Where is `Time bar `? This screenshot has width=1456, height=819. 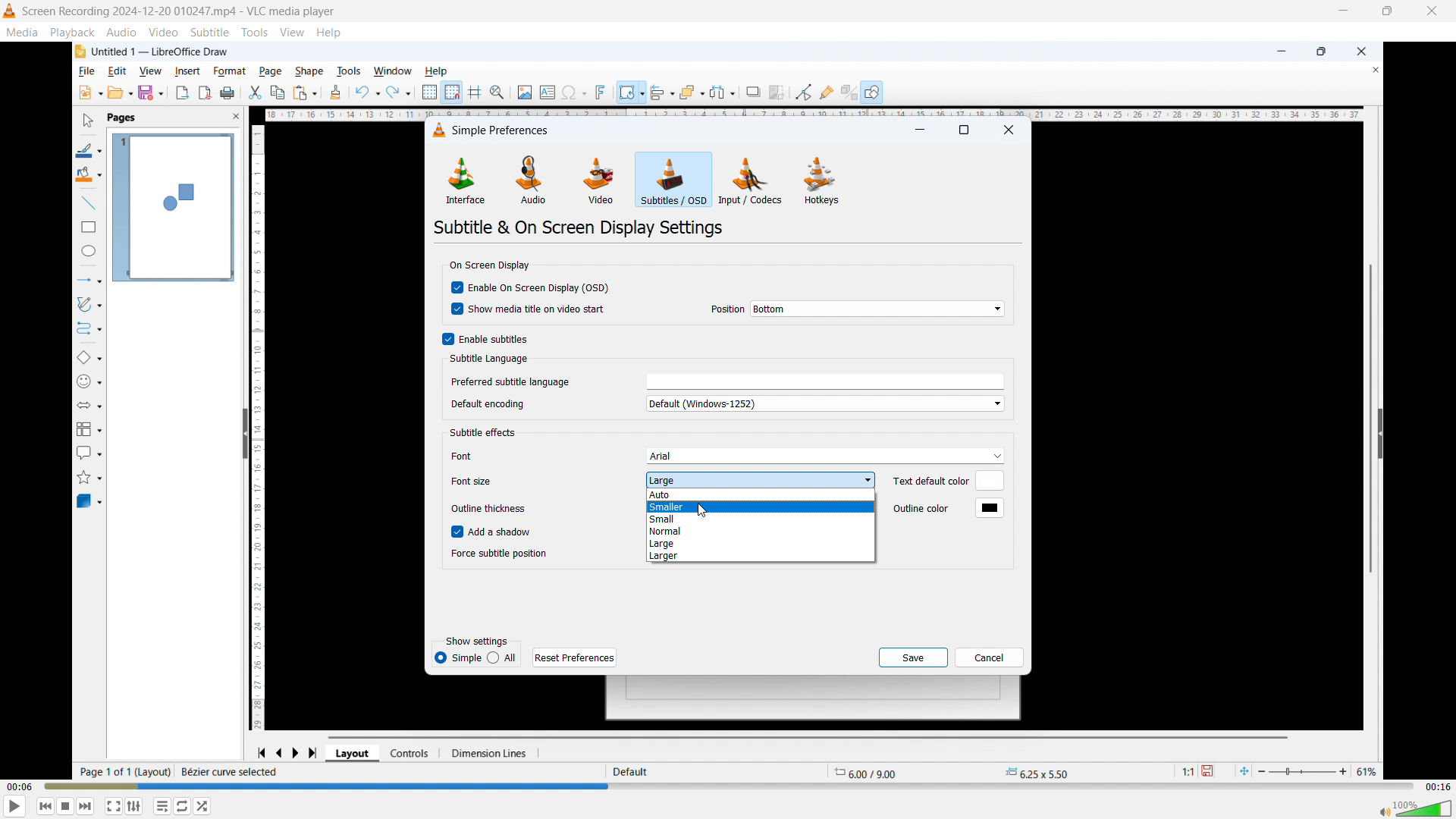 Time bar  is located at coordinates (730, 785).